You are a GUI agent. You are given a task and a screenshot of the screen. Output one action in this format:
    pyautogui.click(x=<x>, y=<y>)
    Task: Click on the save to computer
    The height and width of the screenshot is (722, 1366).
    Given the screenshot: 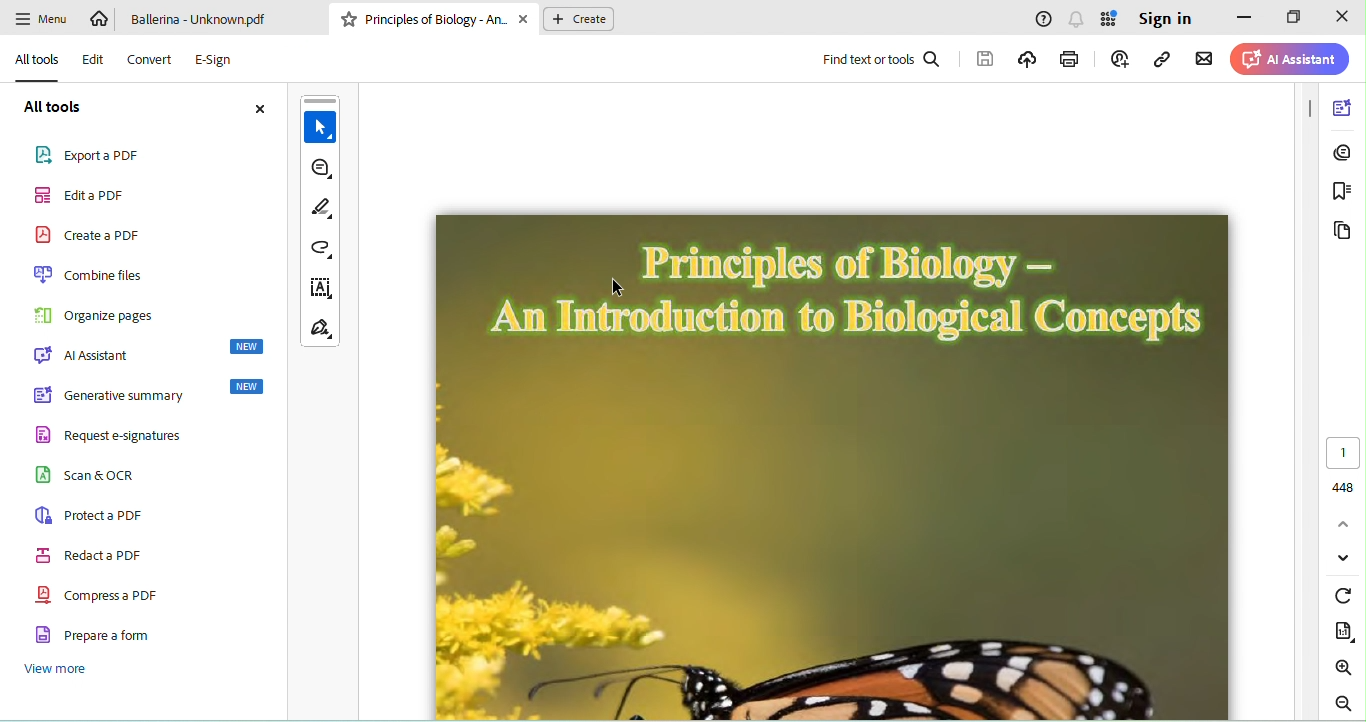 What is the action you would take?
    pyautogui.click(x=984, y=60)
    